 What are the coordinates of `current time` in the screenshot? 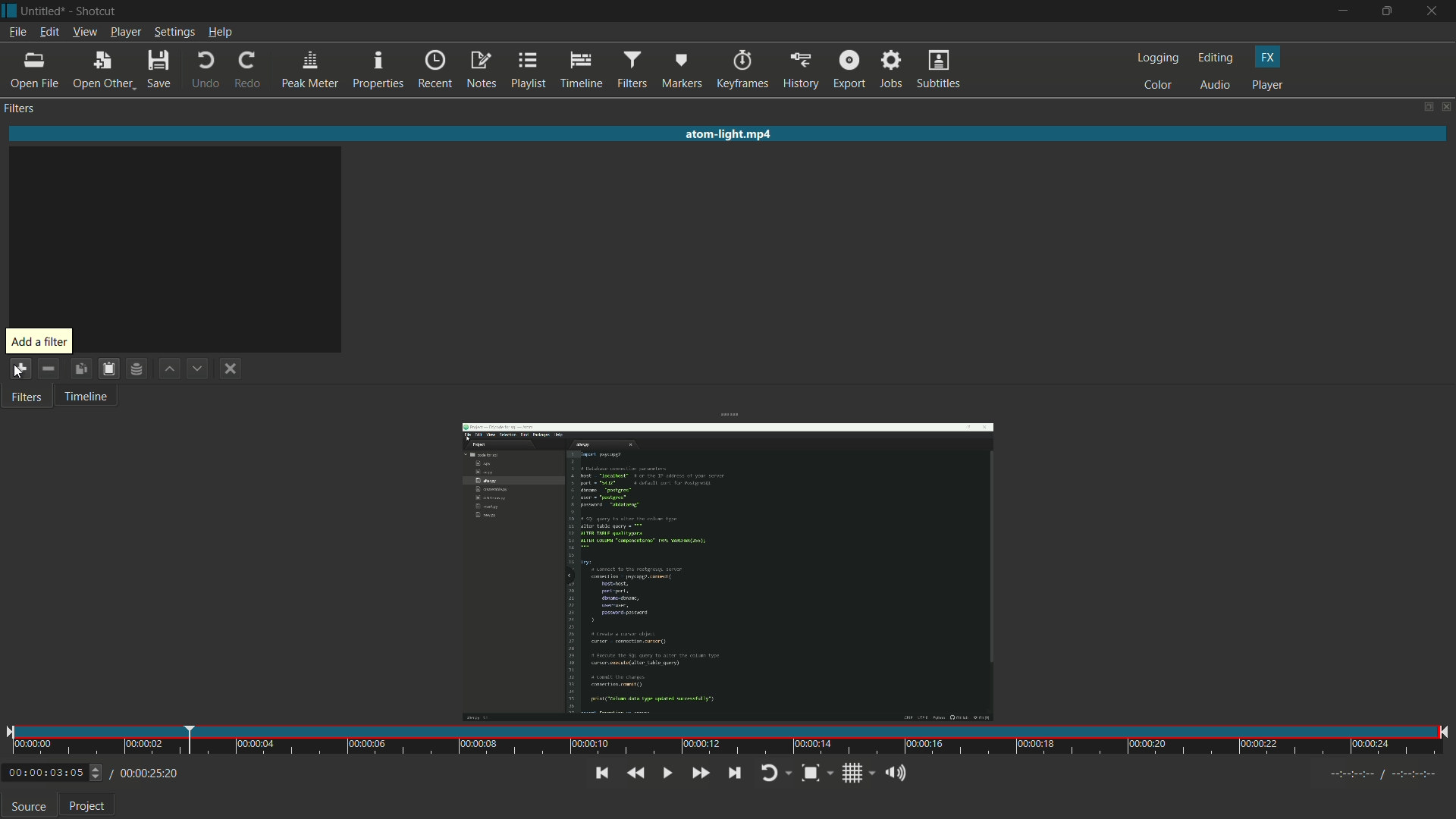 It's located at (44, 773).